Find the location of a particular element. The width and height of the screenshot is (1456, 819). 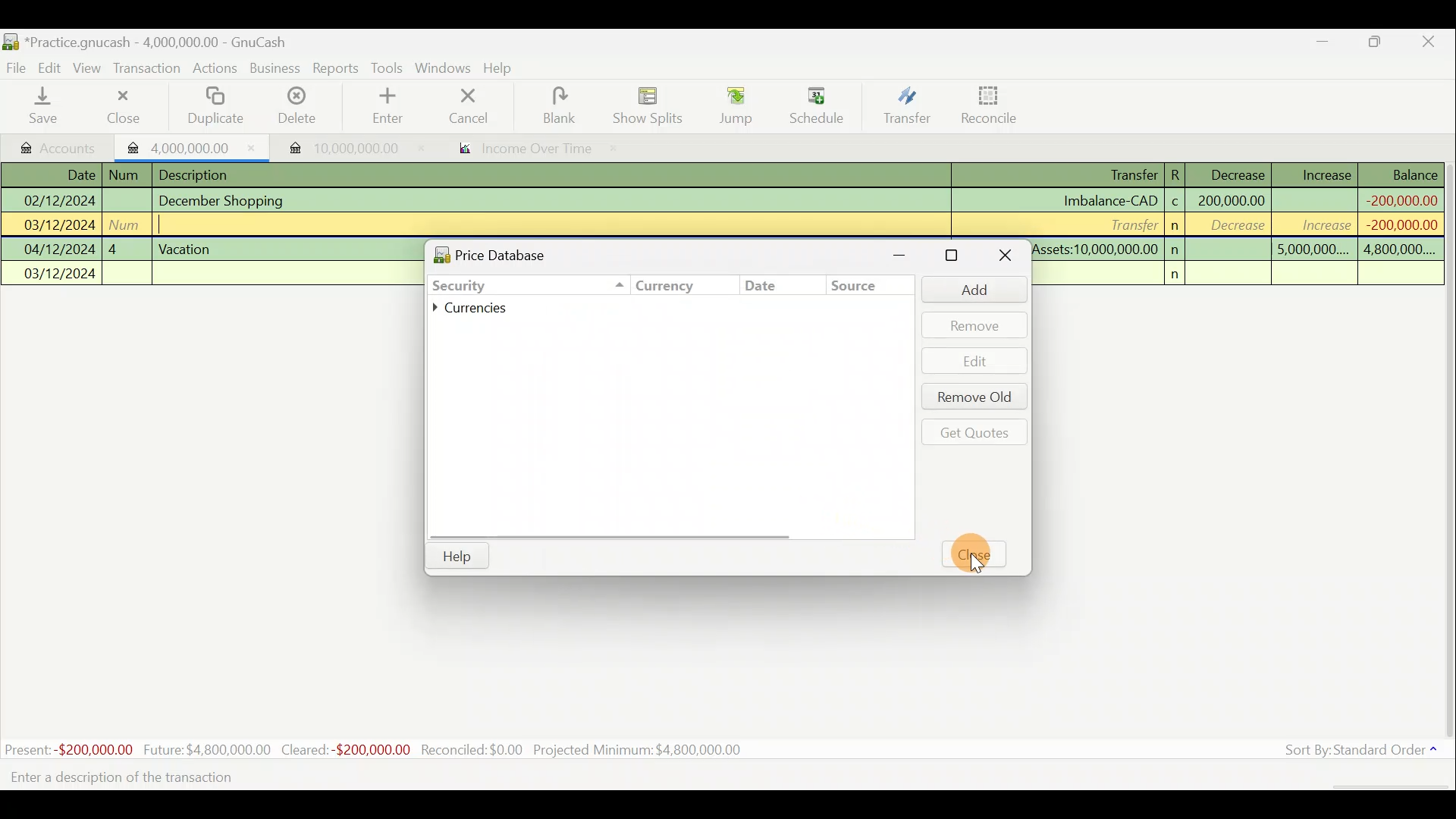

num is located at coordinates (128, 224).